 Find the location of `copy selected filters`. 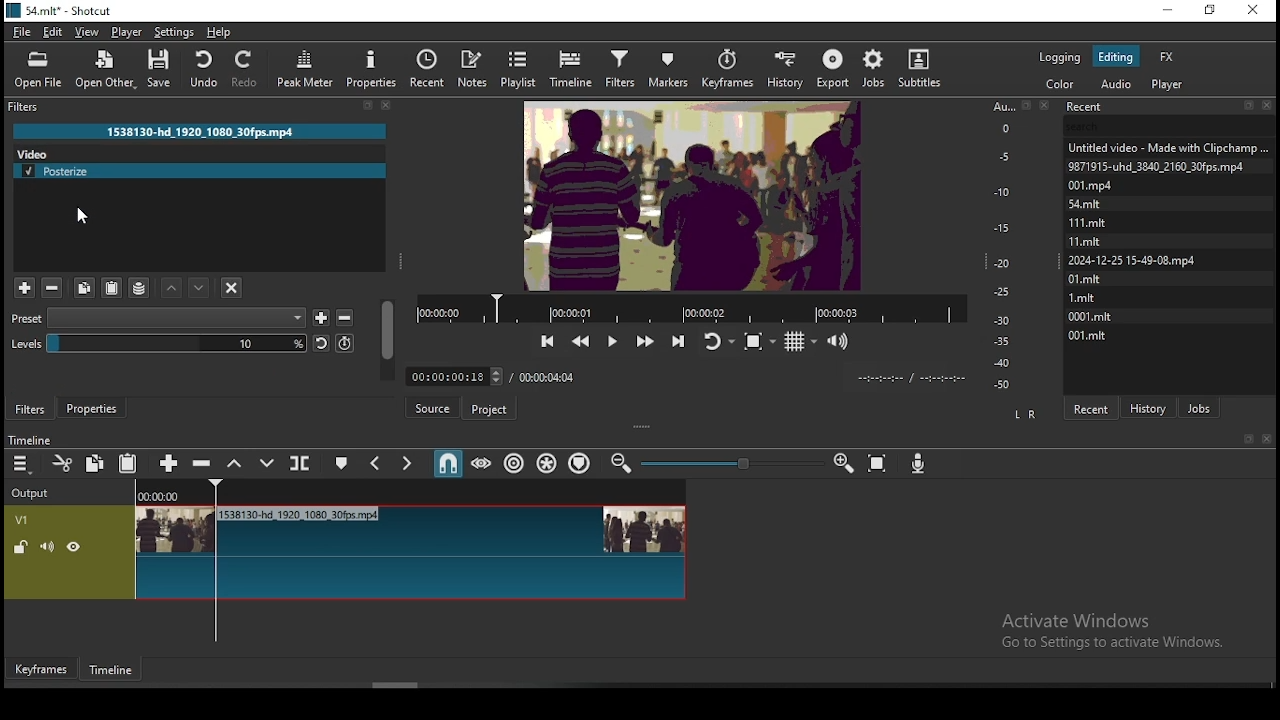

copy selected filters is located at coordinates (85, 289).